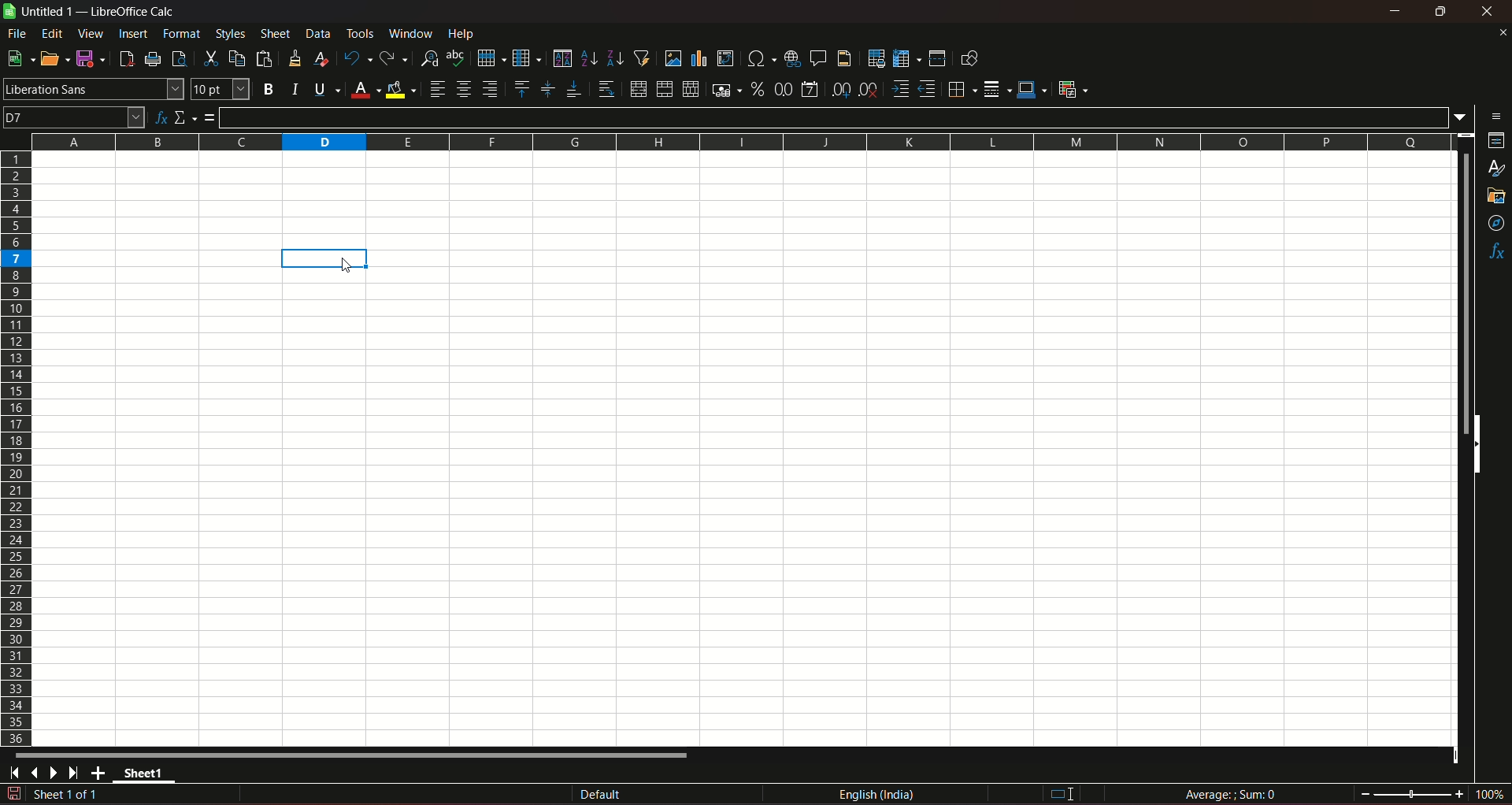  Describe the element at coordinates (183, 33) in the screenshot. I see `format` at that location.